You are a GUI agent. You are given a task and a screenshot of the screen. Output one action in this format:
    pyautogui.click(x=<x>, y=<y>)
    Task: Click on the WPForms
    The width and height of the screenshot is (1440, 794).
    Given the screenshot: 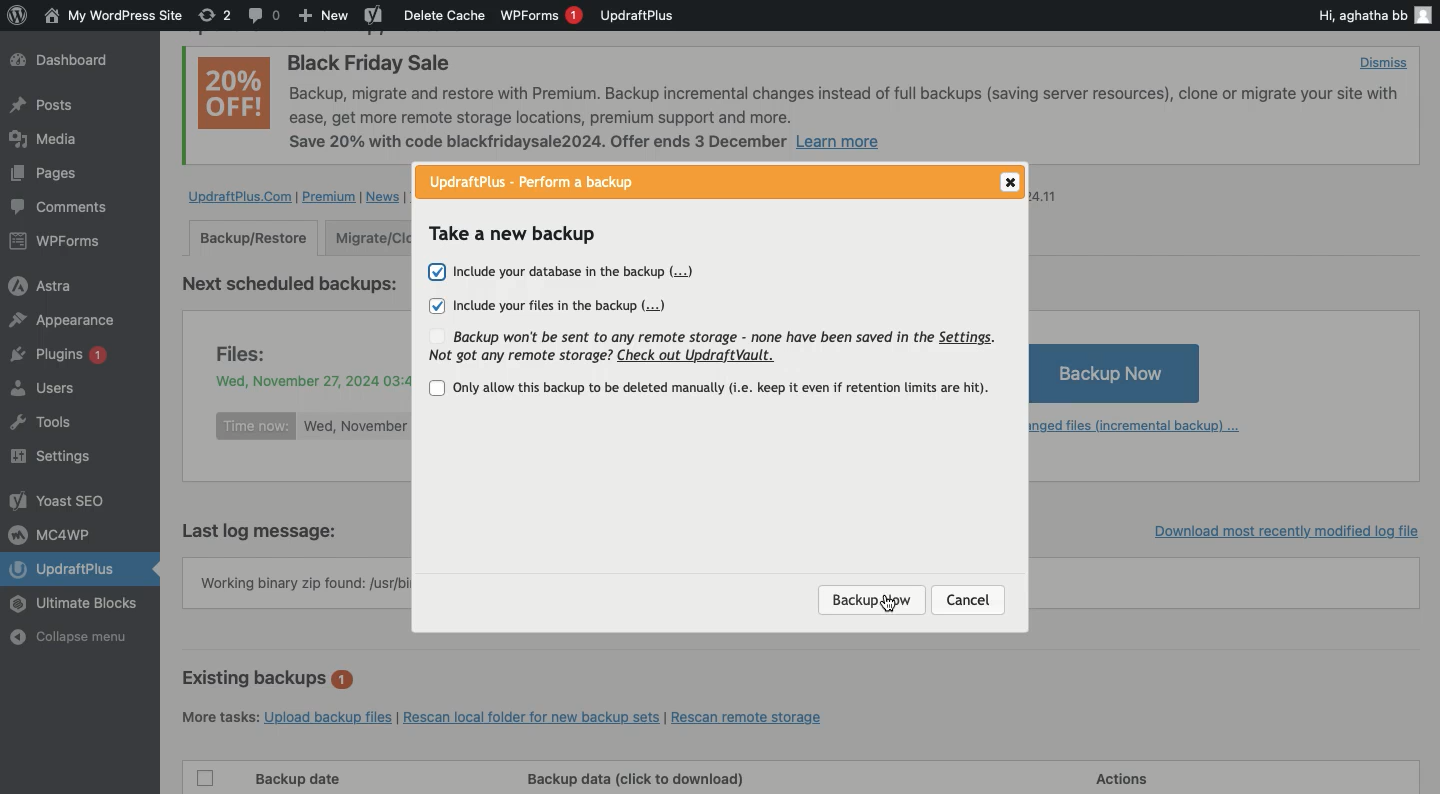 What is the action you would take?
    pyautogui.click(x=58, y=243)
    